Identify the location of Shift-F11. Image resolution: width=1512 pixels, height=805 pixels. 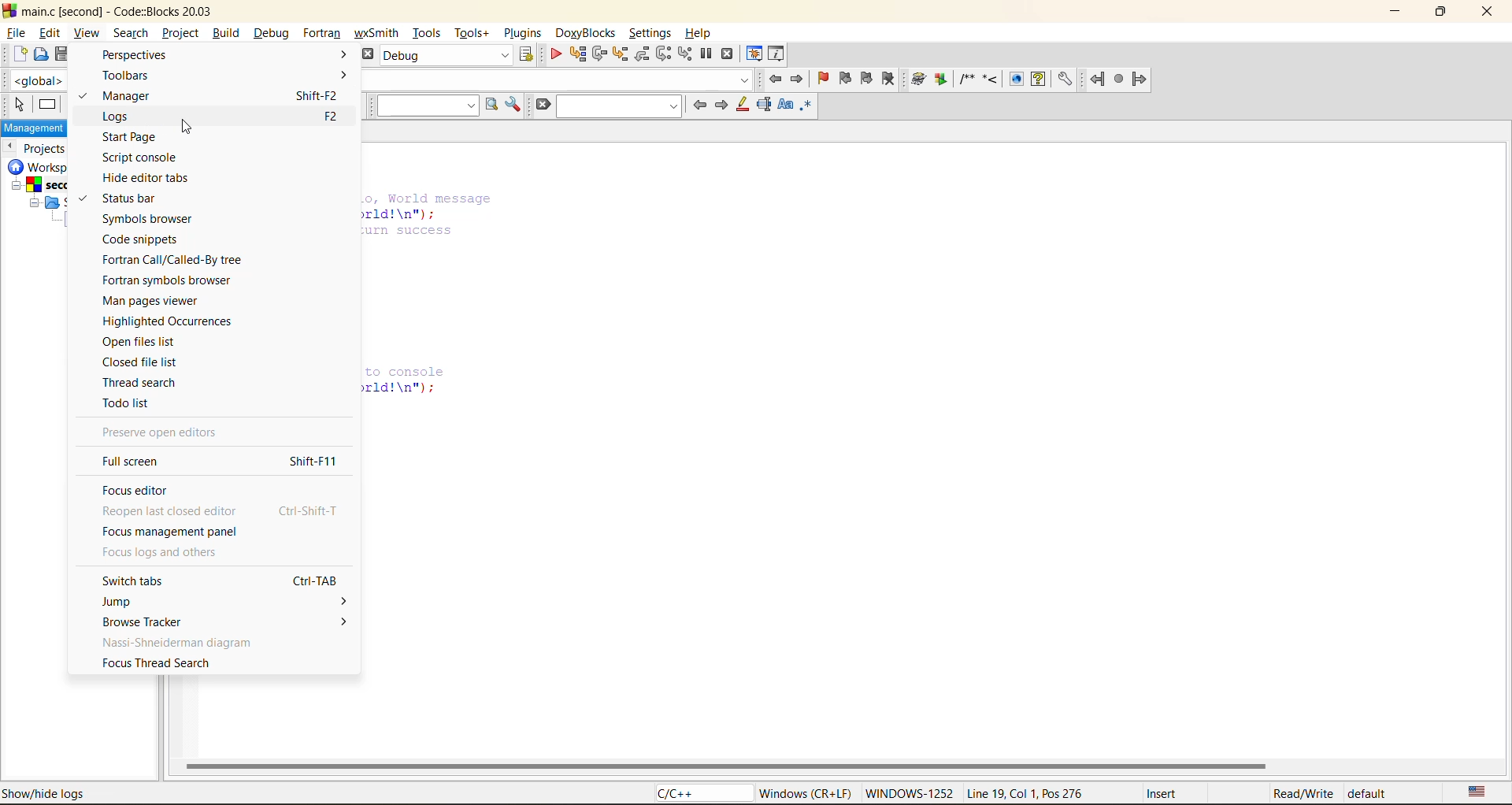
(313, 461).